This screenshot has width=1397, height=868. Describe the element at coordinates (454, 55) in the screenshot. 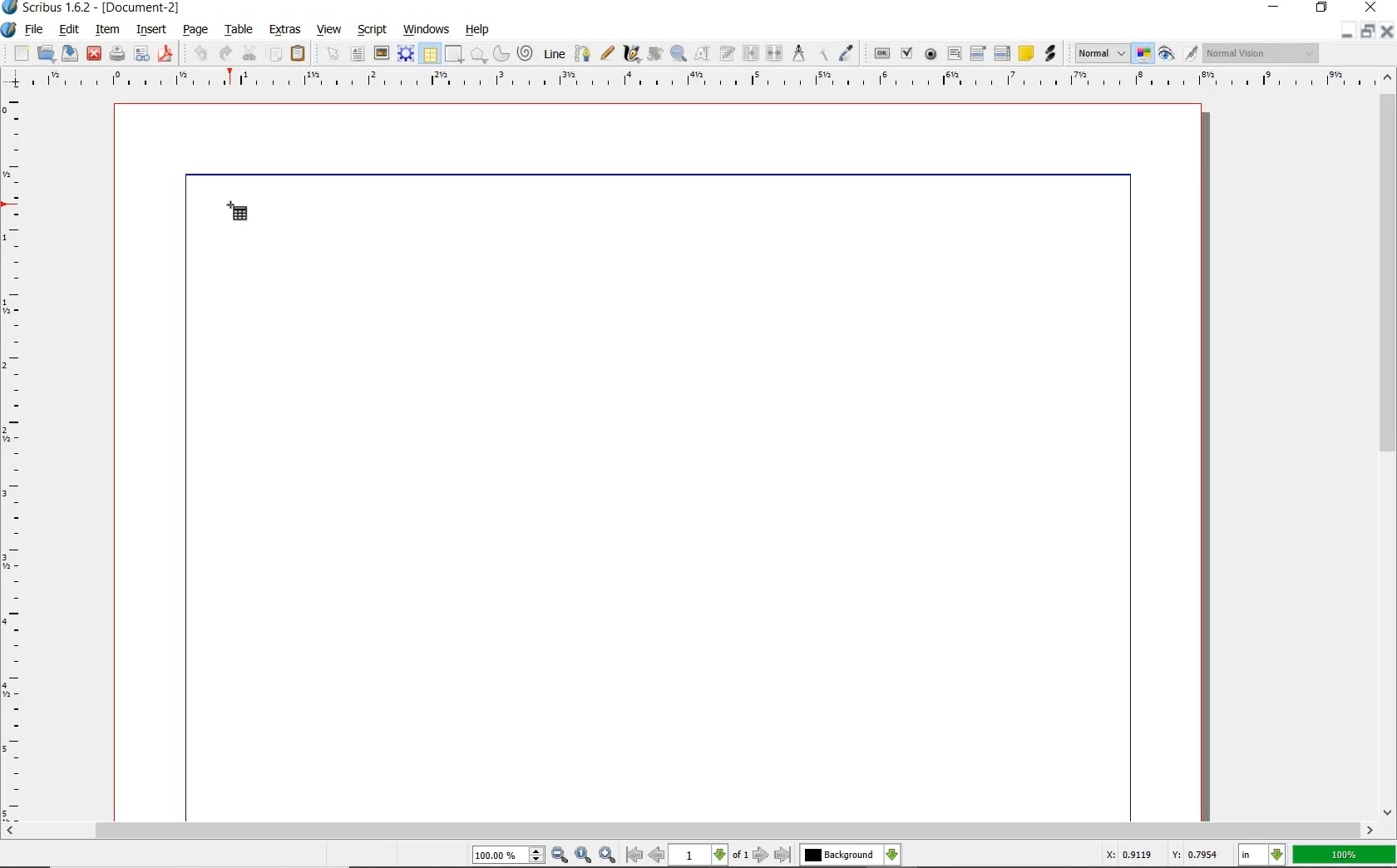

I see `shape` at that location.